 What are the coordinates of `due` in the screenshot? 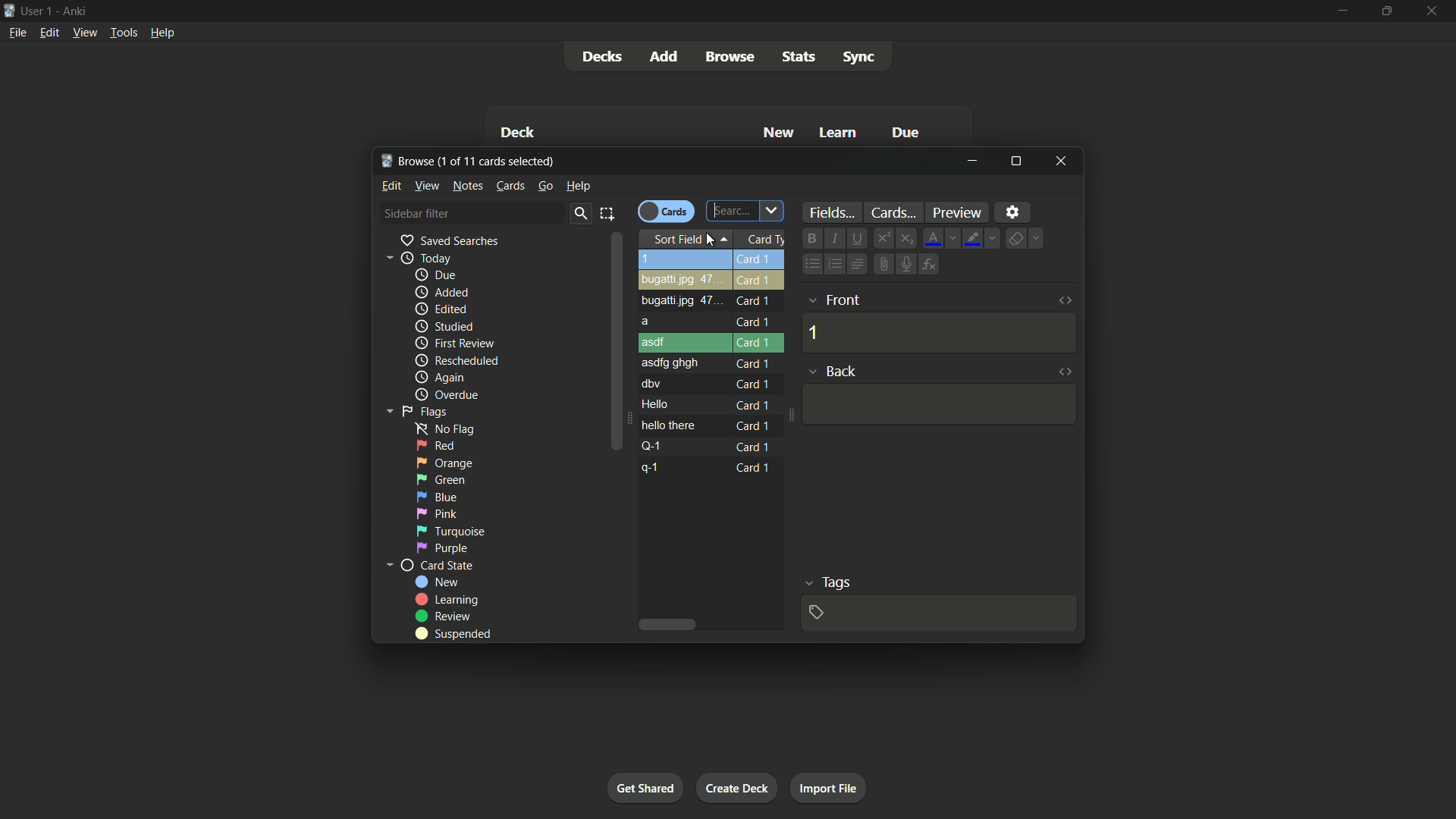 It's located at (436, 275).